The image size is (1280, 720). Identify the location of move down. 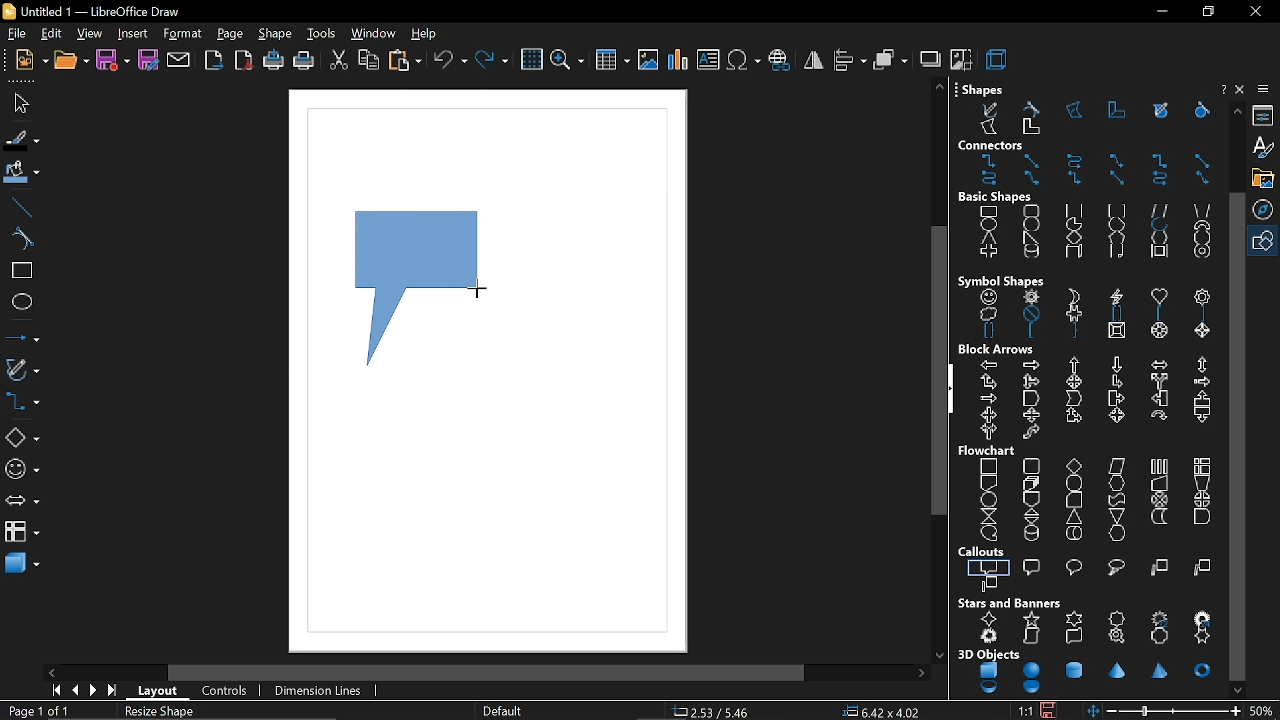
(1237, 690).